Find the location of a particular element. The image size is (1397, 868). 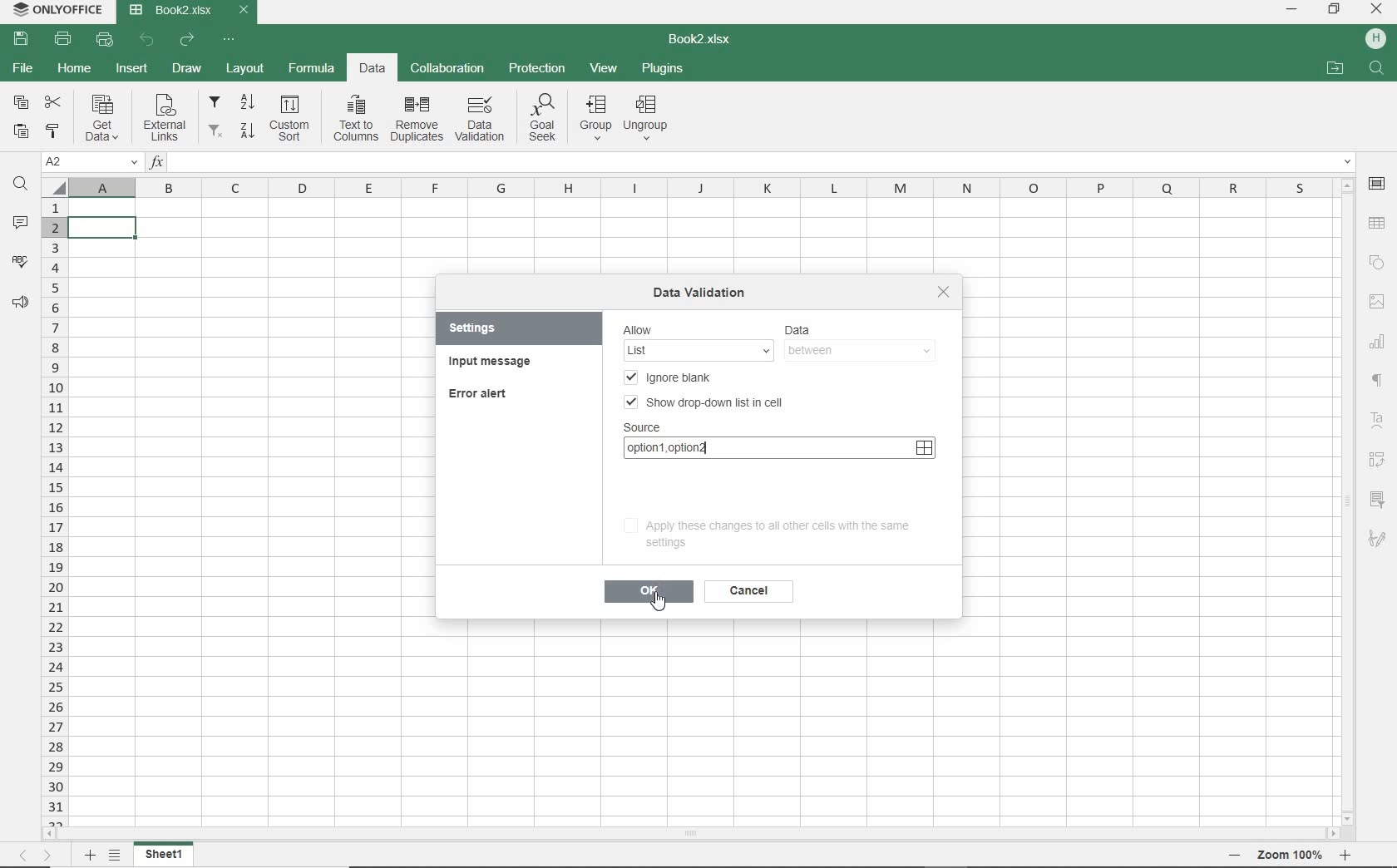

PLUGINS is located at coordinates (664, 67).